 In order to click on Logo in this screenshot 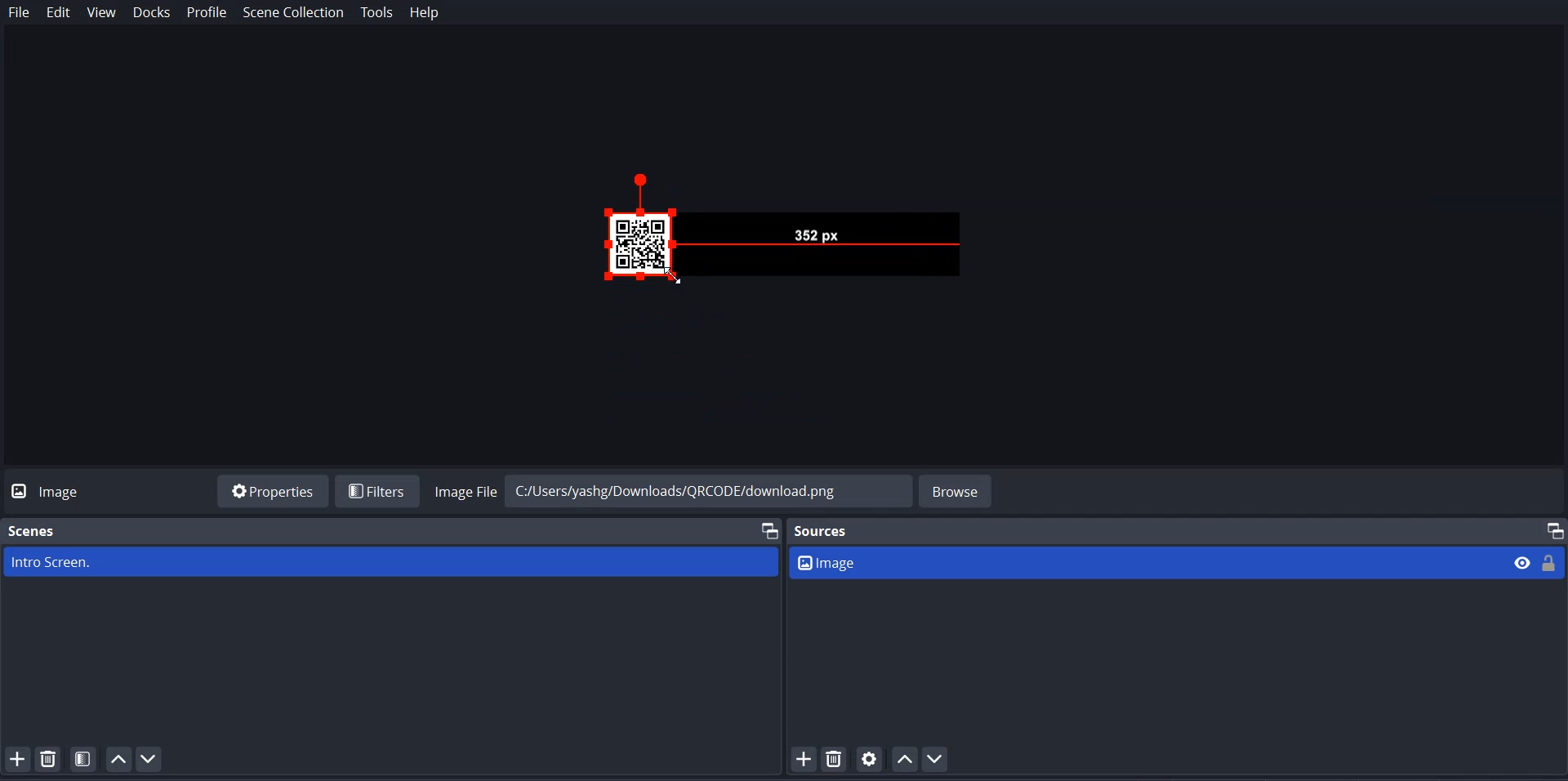, I will do `click(51, 490)`.